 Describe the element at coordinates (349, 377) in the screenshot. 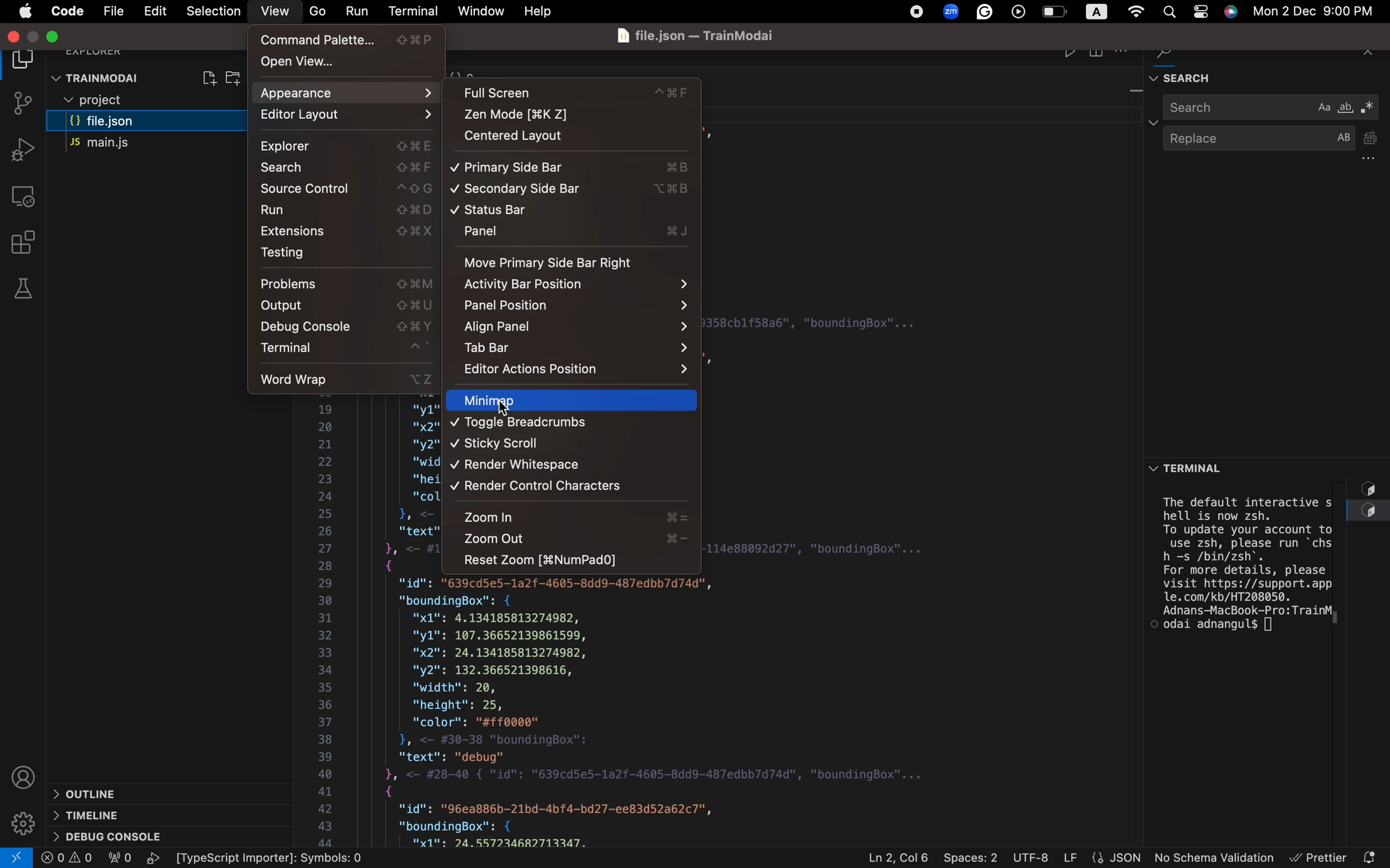

I see `word wrap` at that location.